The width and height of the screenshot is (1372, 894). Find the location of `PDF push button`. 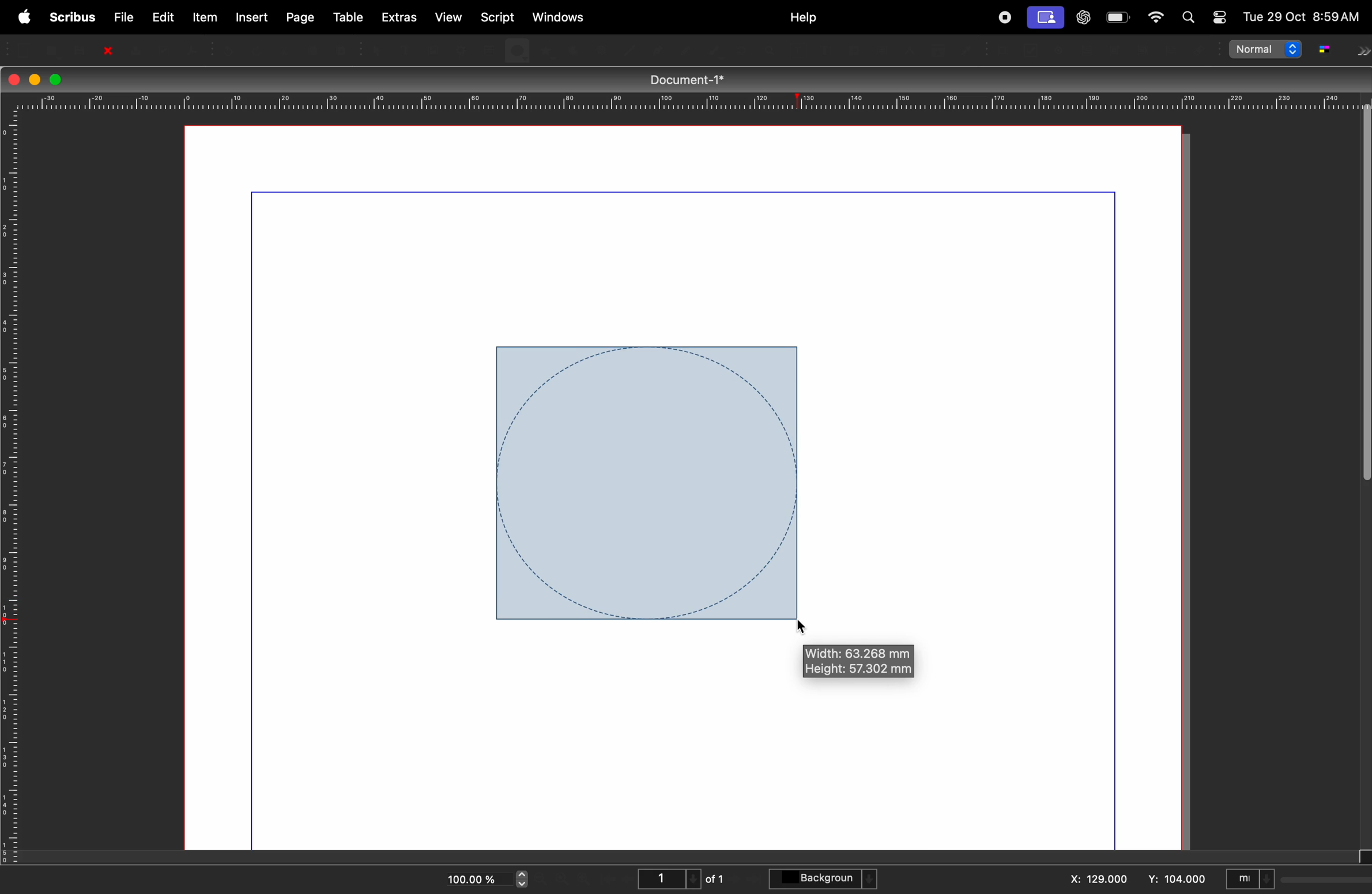

PDF push button is located at coordinates (1007, 51).